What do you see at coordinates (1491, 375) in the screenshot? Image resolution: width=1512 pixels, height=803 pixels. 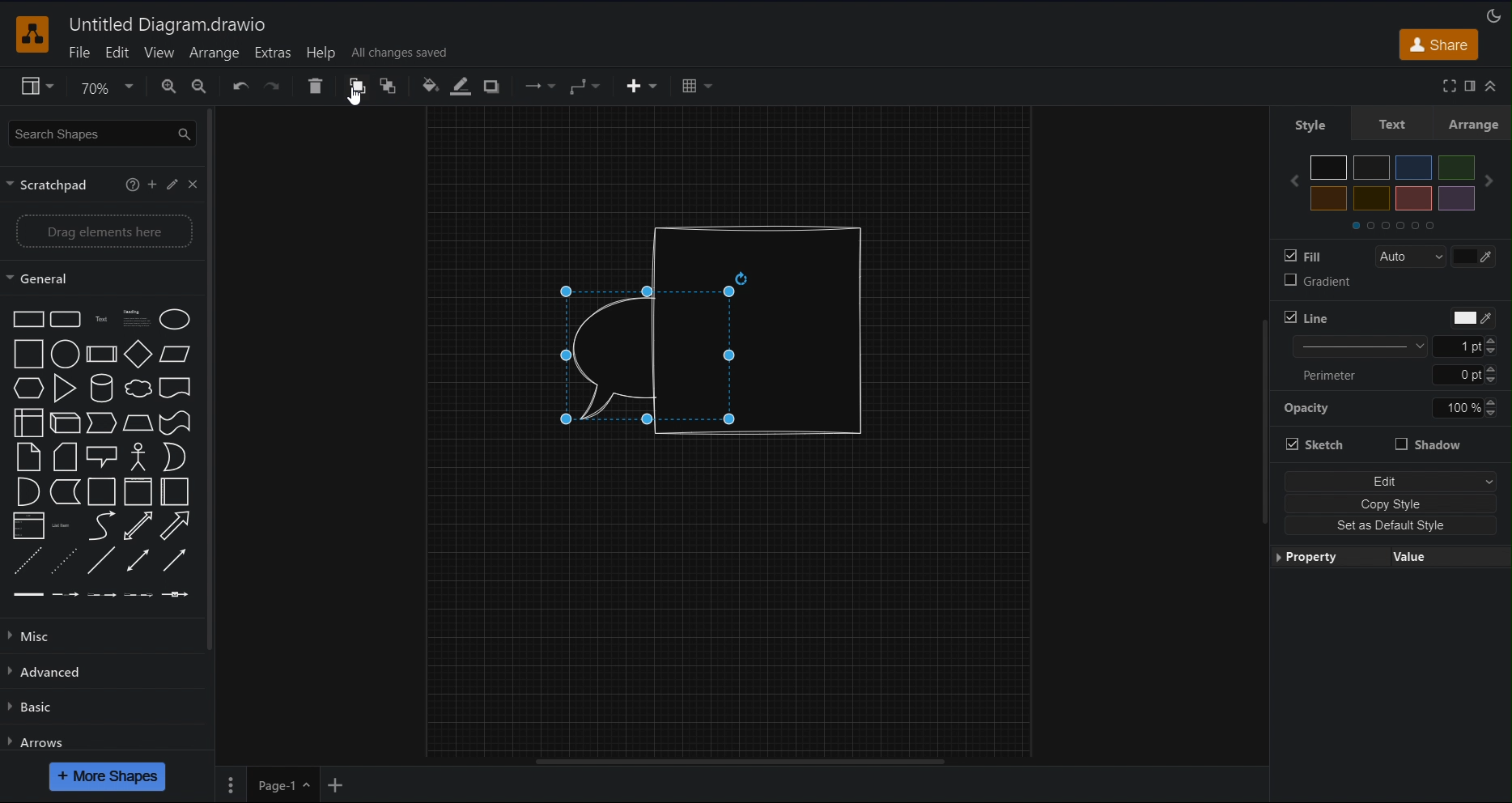 I see `Increase/Decrease line thickness` at bounding box center [1491, 375].